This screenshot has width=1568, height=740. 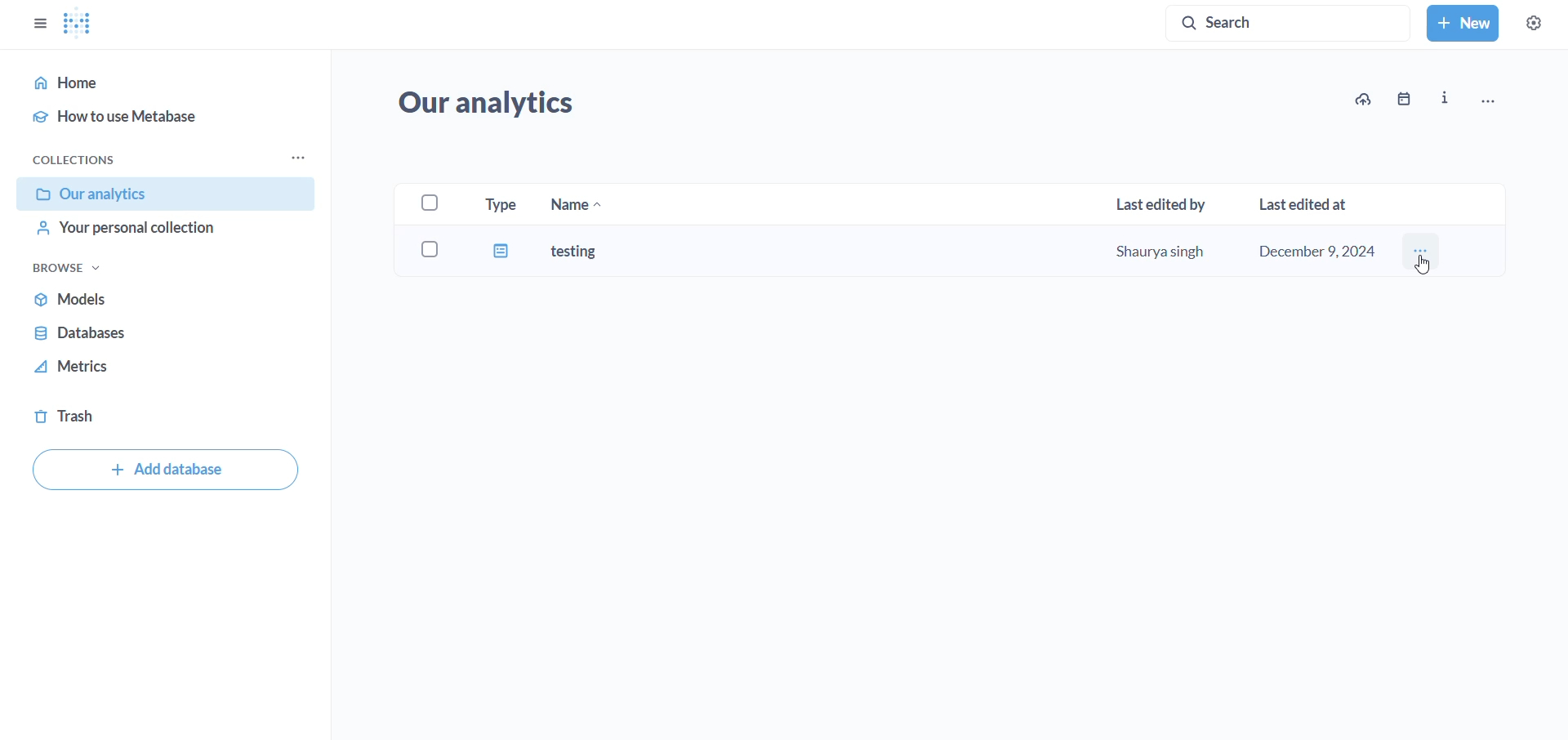 I want to click on new button, so click(x=1462, y=23).